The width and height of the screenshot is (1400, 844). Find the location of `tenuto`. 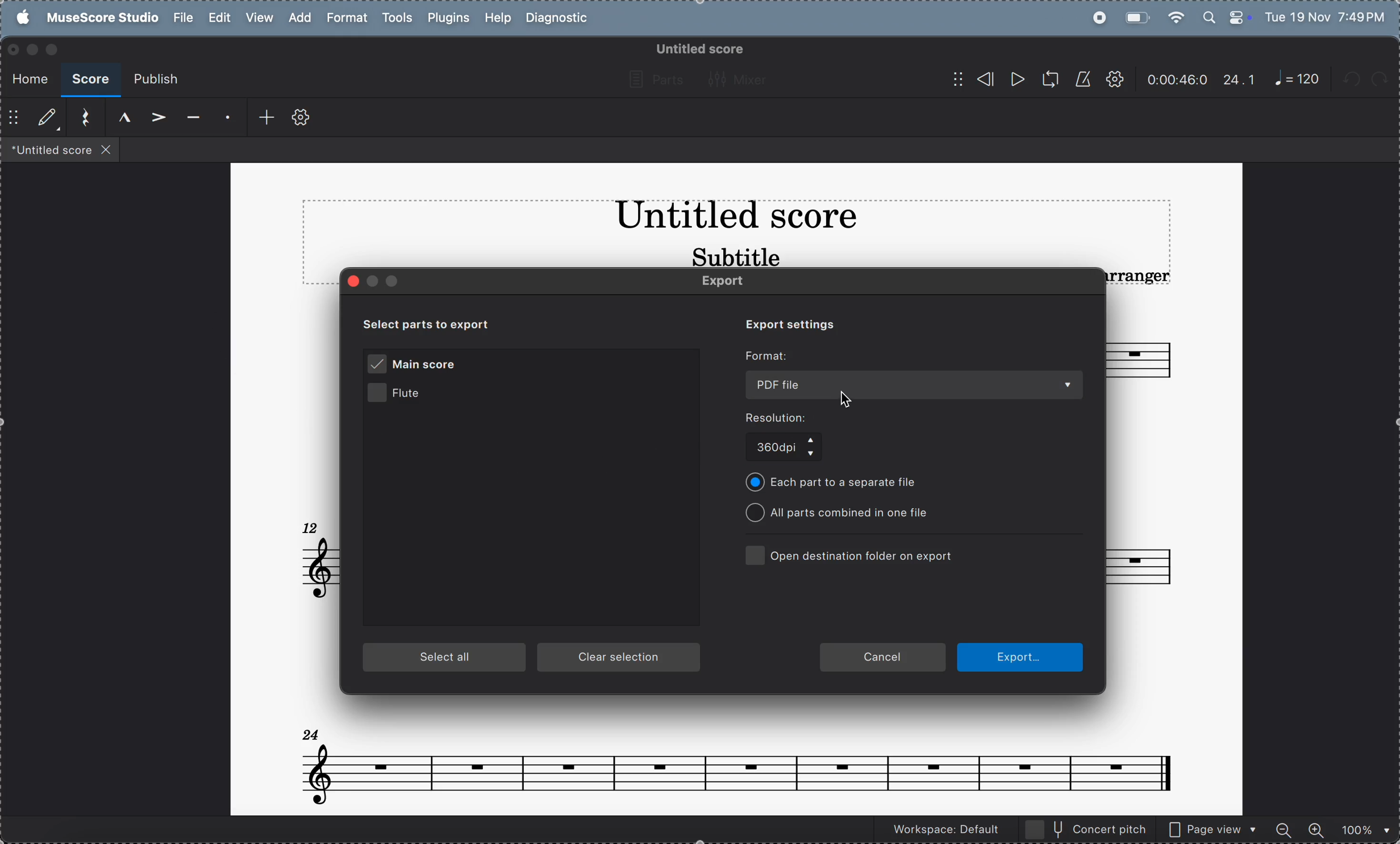

tenuto is located at coordinates (190, 119).